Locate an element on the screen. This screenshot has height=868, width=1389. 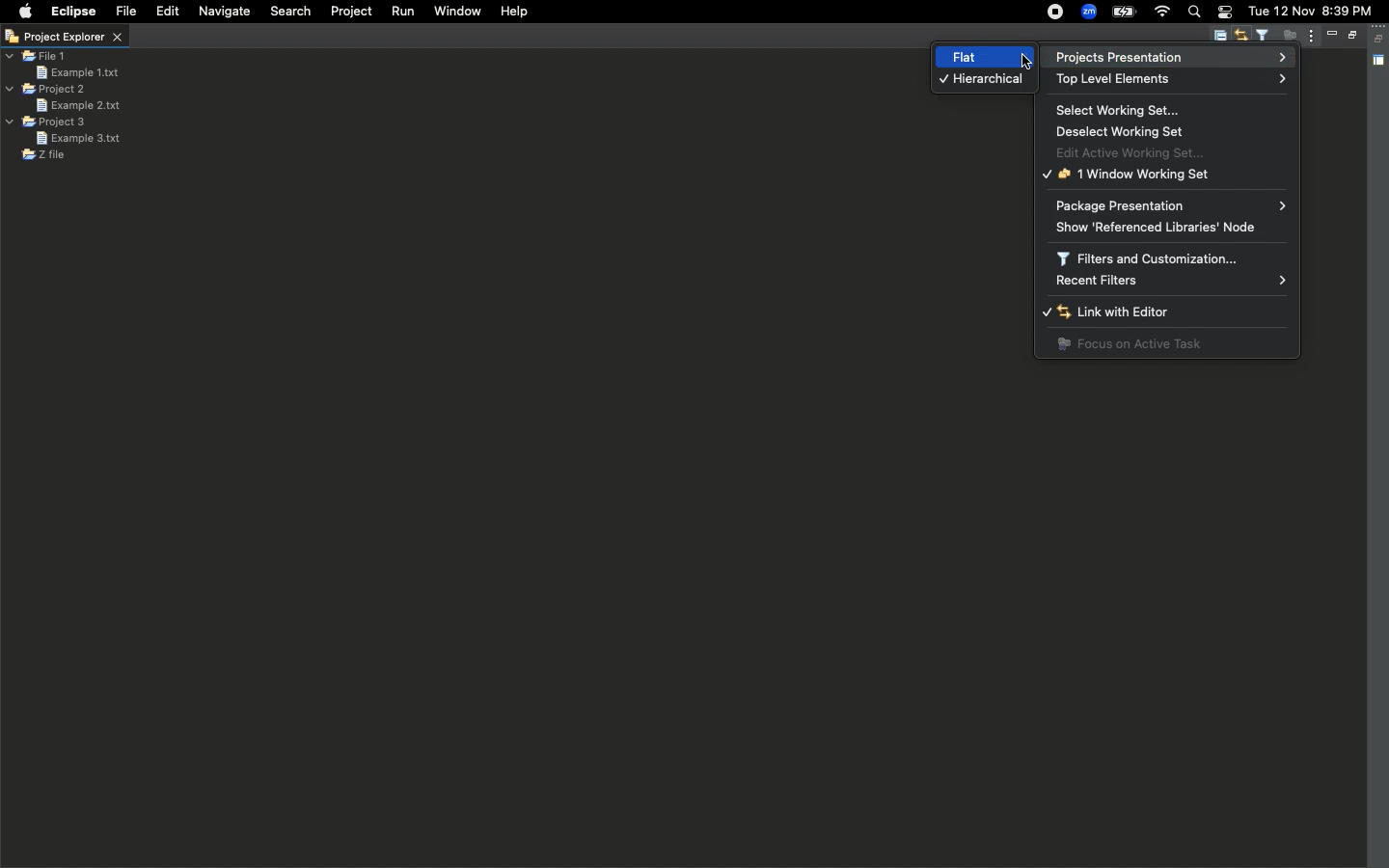
Link with editor is located at coordinates (1138, 313).